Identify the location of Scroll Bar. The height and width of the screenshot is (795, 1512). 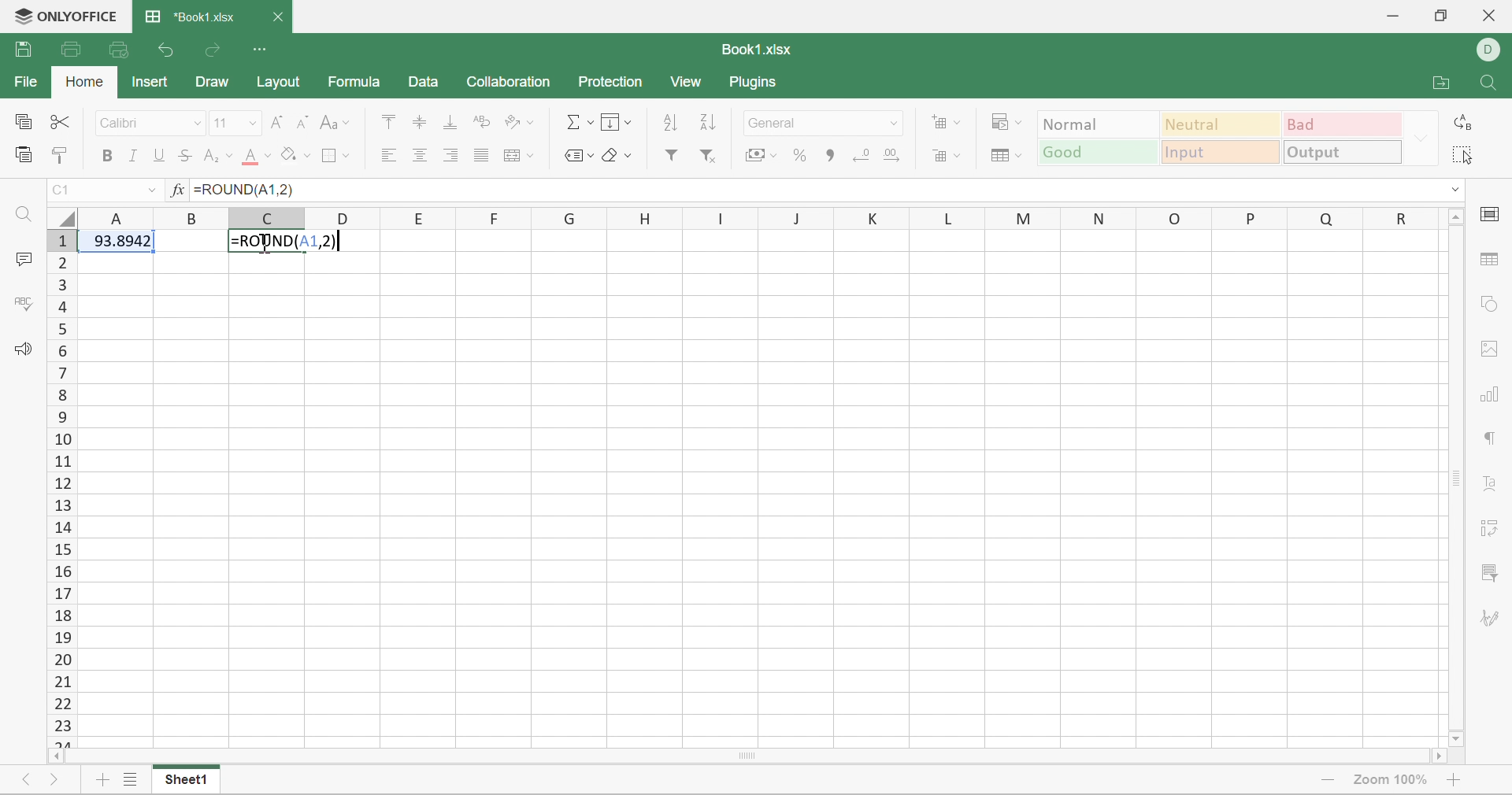
(744, 757).